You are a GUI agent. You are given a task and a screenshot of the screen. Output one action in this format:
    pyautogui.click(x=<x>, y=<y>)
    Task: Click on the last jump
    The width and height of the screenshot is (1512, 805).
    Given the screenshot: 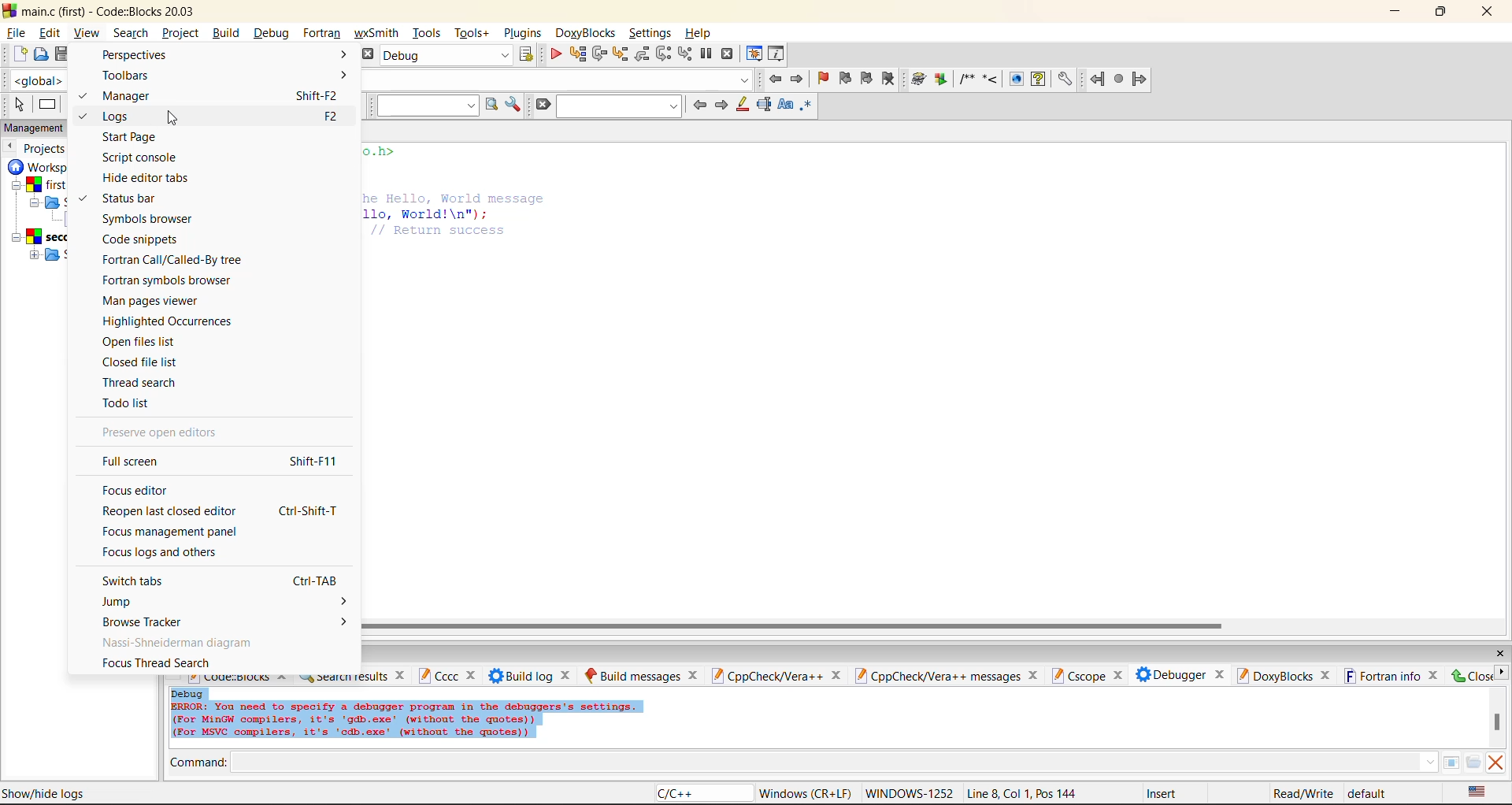 What is the action you would take?
    pyautogui.click(x=1121, y=79)
    